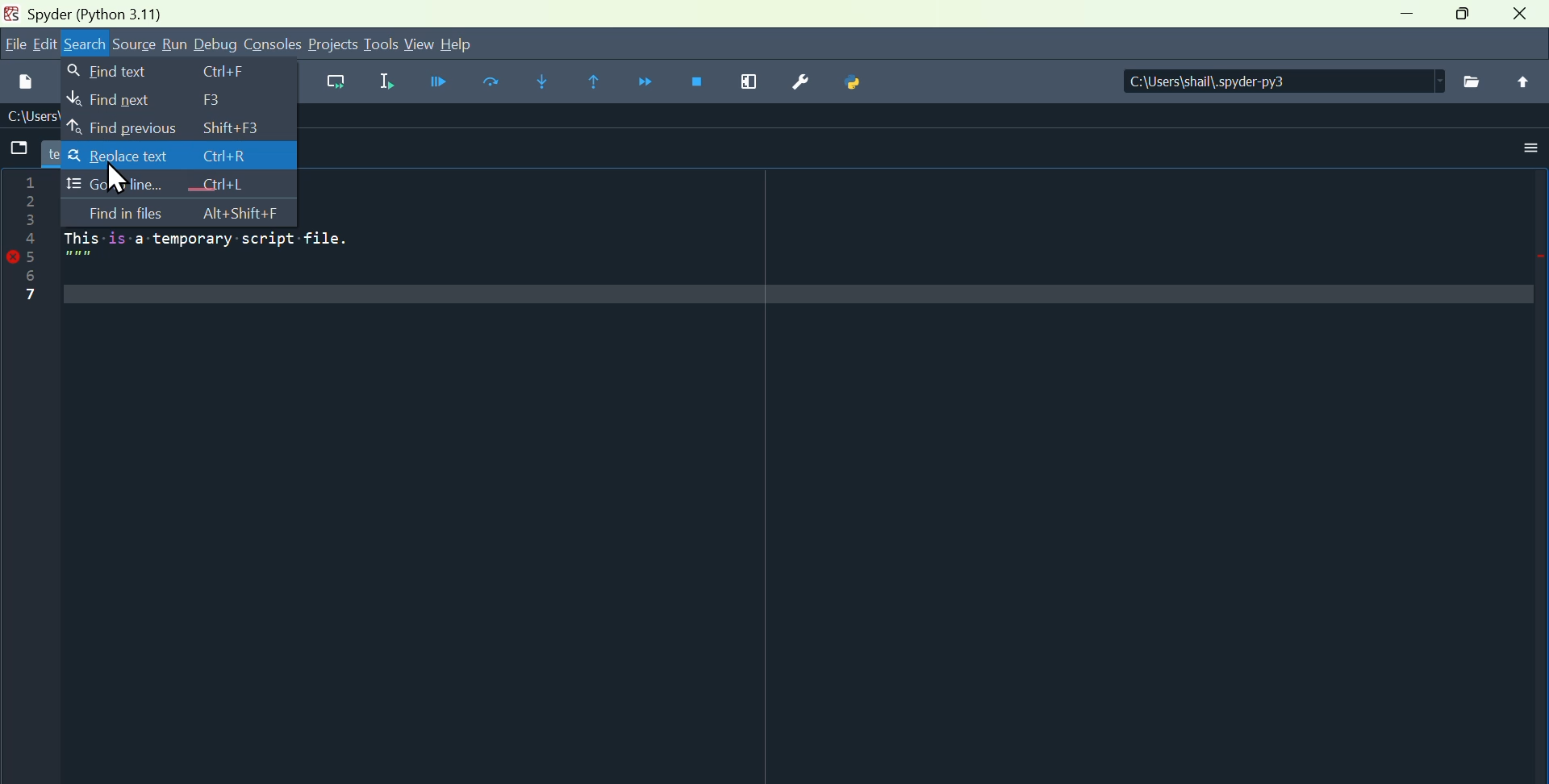 The height and width of the screenshot is (784, 1549). I want to click on Directory, so click(1280, 80).